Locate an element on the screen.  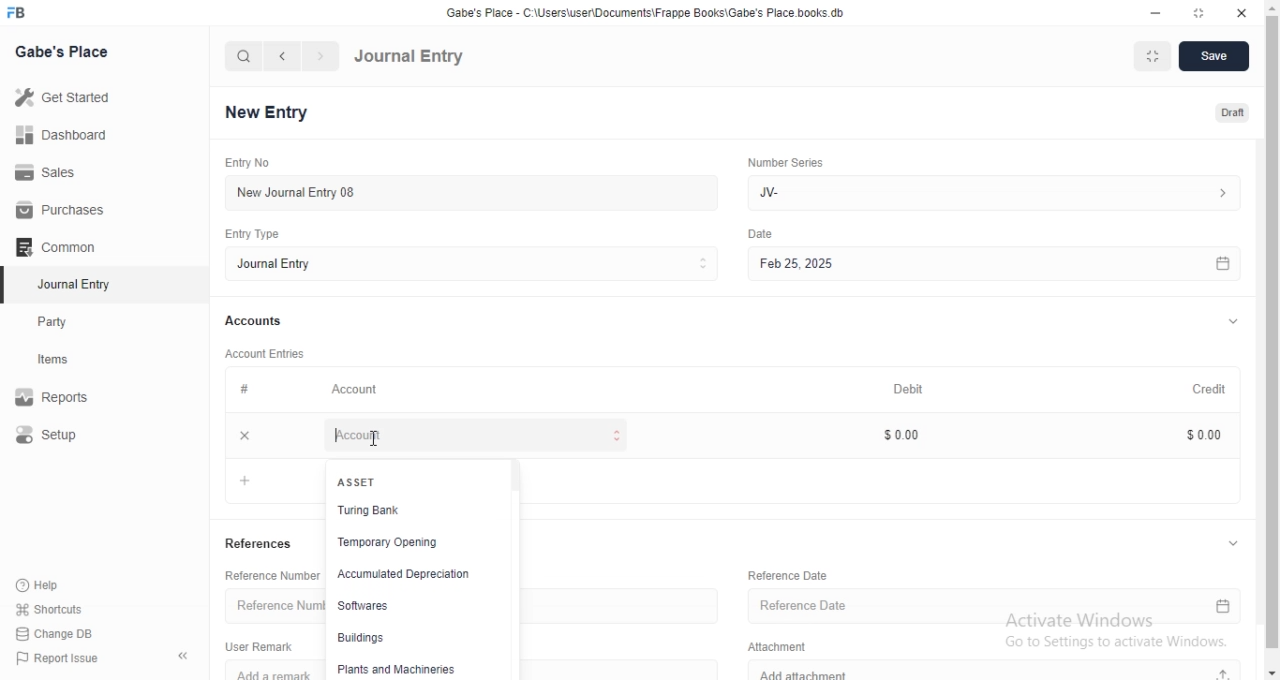
Journal Entry is located at coordinates (71, 284).